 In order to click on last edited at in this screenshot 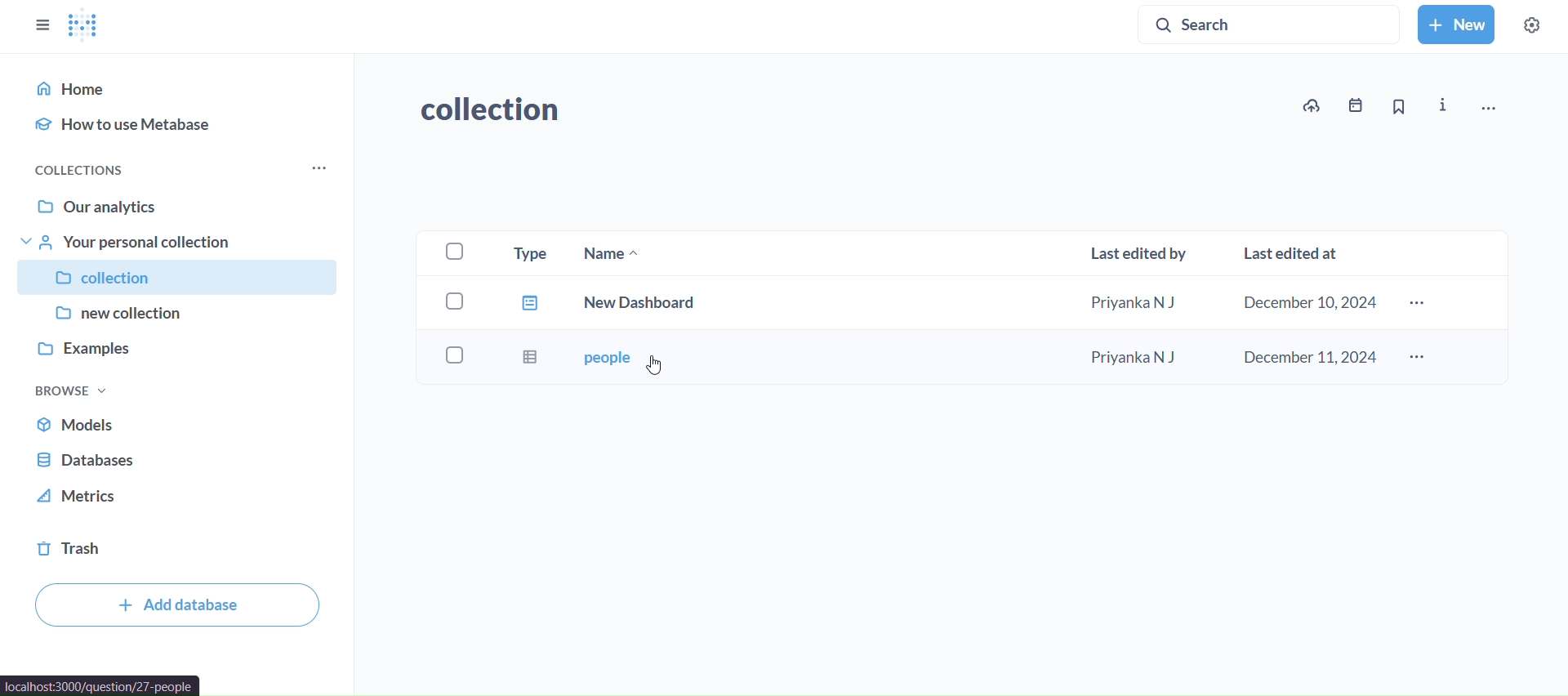, I will do `click(1294, 254)`.